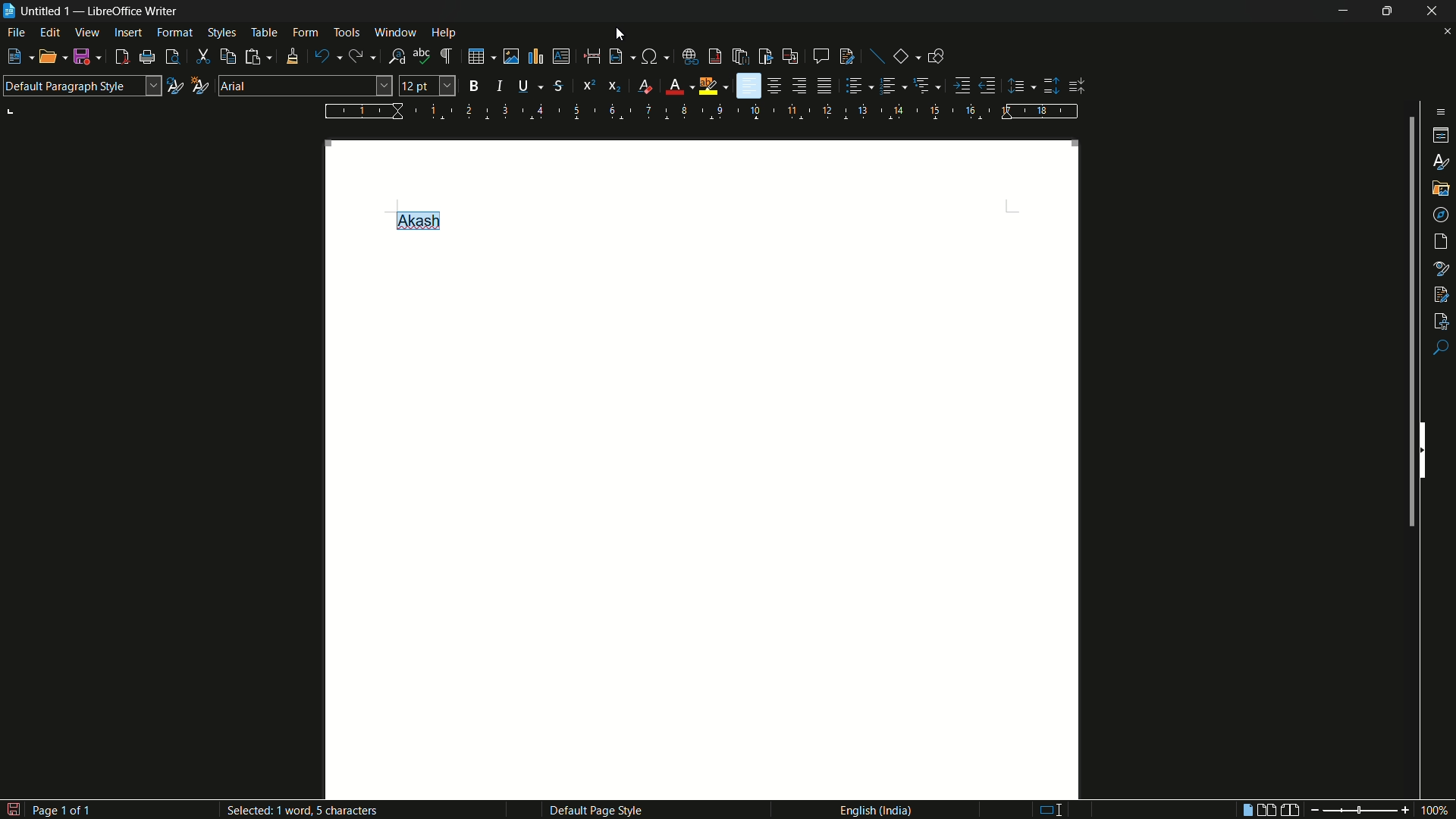  Describe the element at coordinates (1442, 242) in the screenshot. I see `page` at that location.